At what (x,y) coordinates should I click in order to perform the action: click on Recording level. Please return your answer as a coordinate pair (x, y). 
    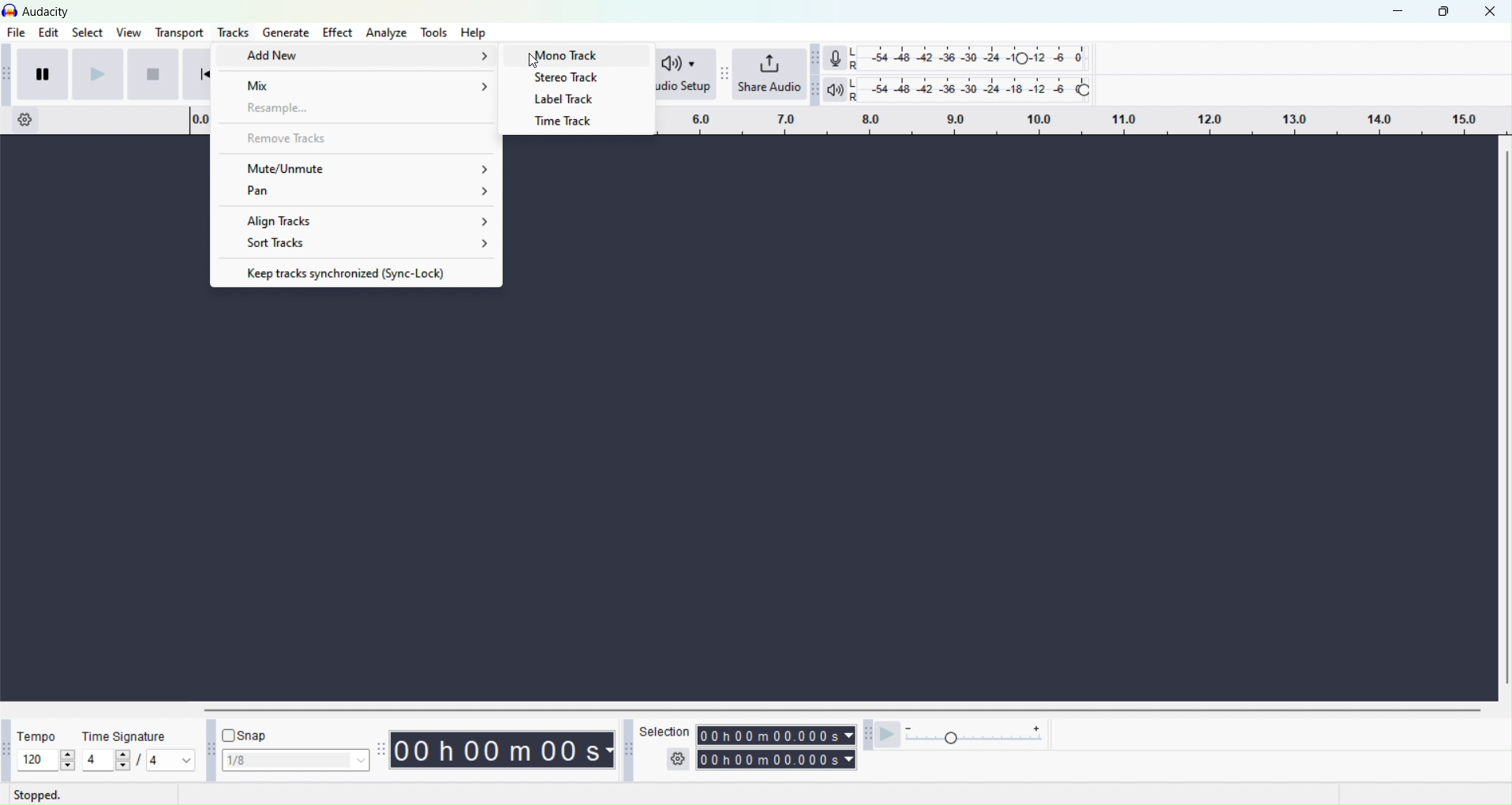
    Looking at the image, I should click on (968, 58).